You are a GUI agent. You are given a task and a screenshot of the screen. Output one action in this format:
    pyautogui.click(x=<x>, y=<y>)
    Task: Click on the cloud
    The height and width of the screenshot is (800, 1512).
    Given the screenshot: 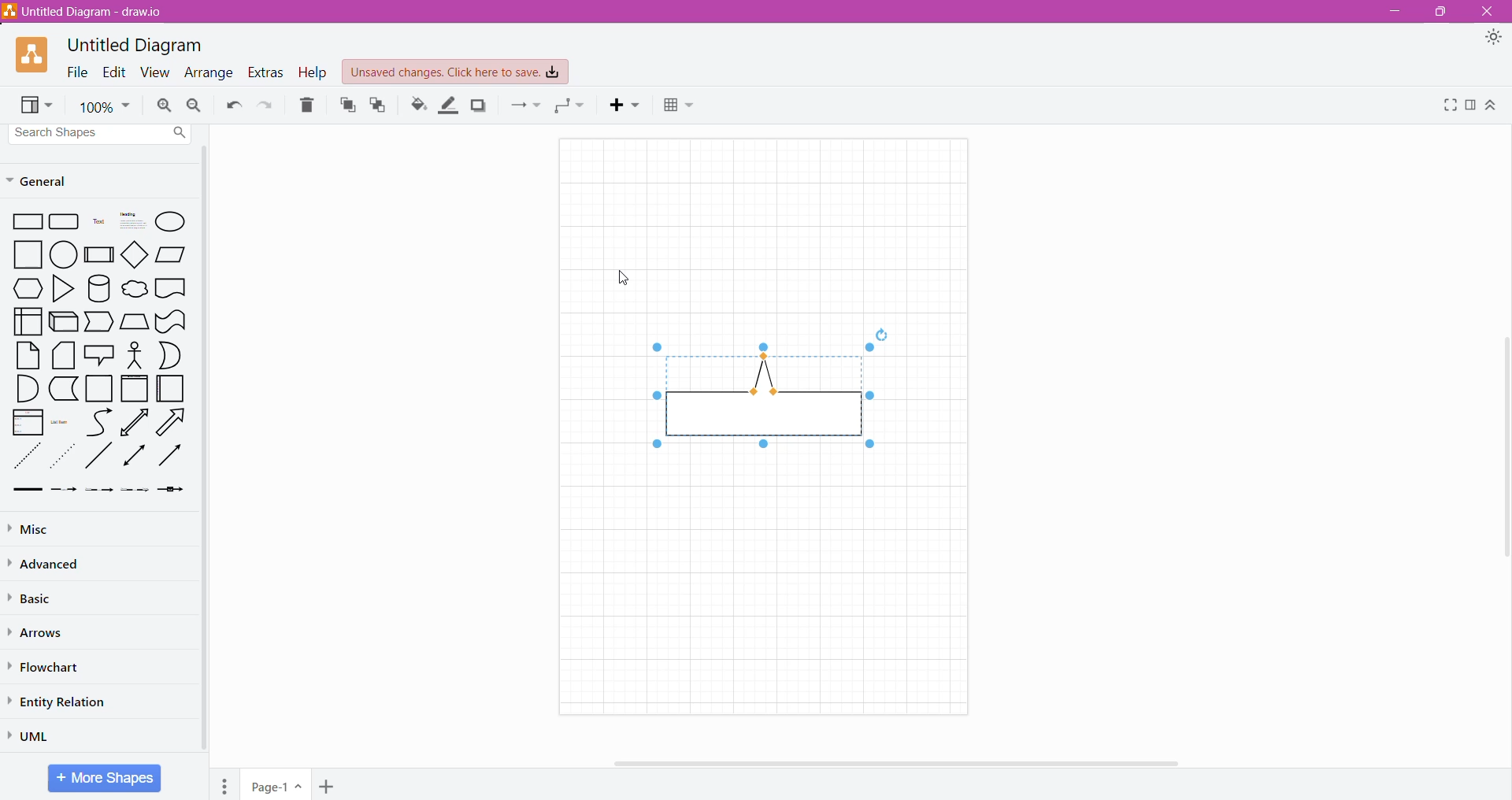 What is the action you would take?
    pyautogui.click(x=133, y=287)
    